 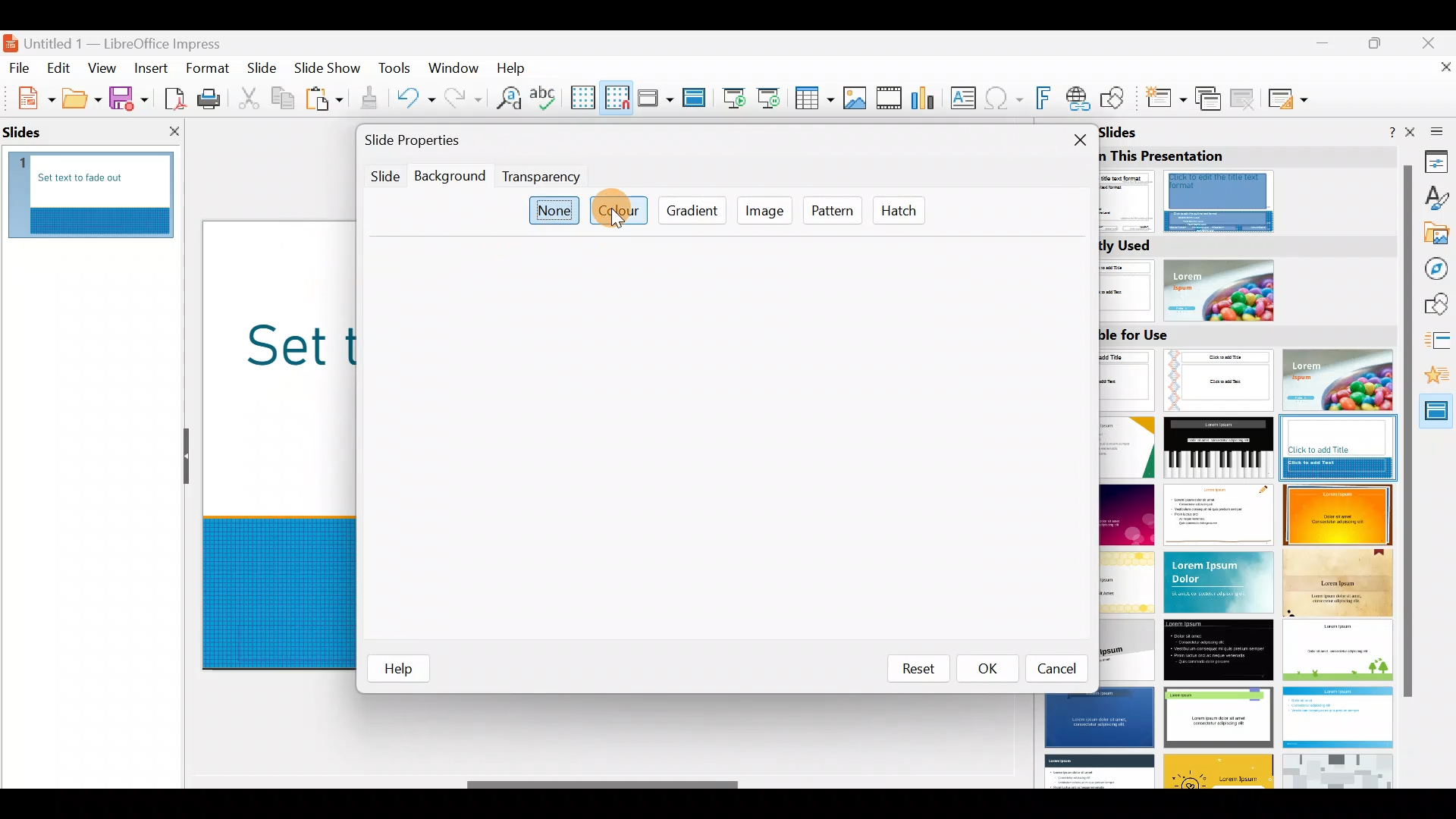 What do you see at coordinates (983, 667) in the screenshot?
I see `OK` at bounding box center [983, 667].